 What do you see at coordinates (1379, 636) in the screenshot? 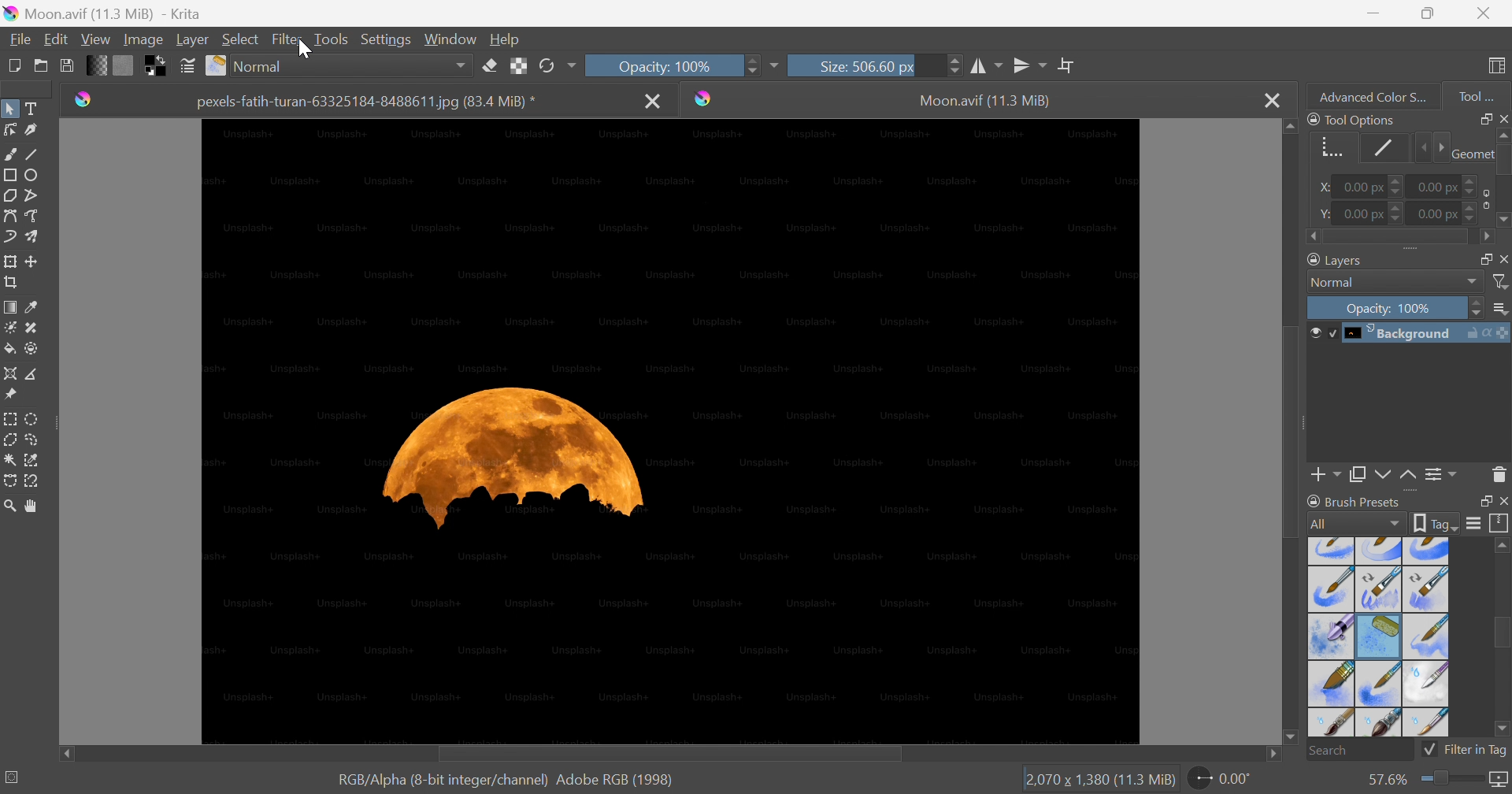
I see `Types of brush` at bounding box center [1379, 636].